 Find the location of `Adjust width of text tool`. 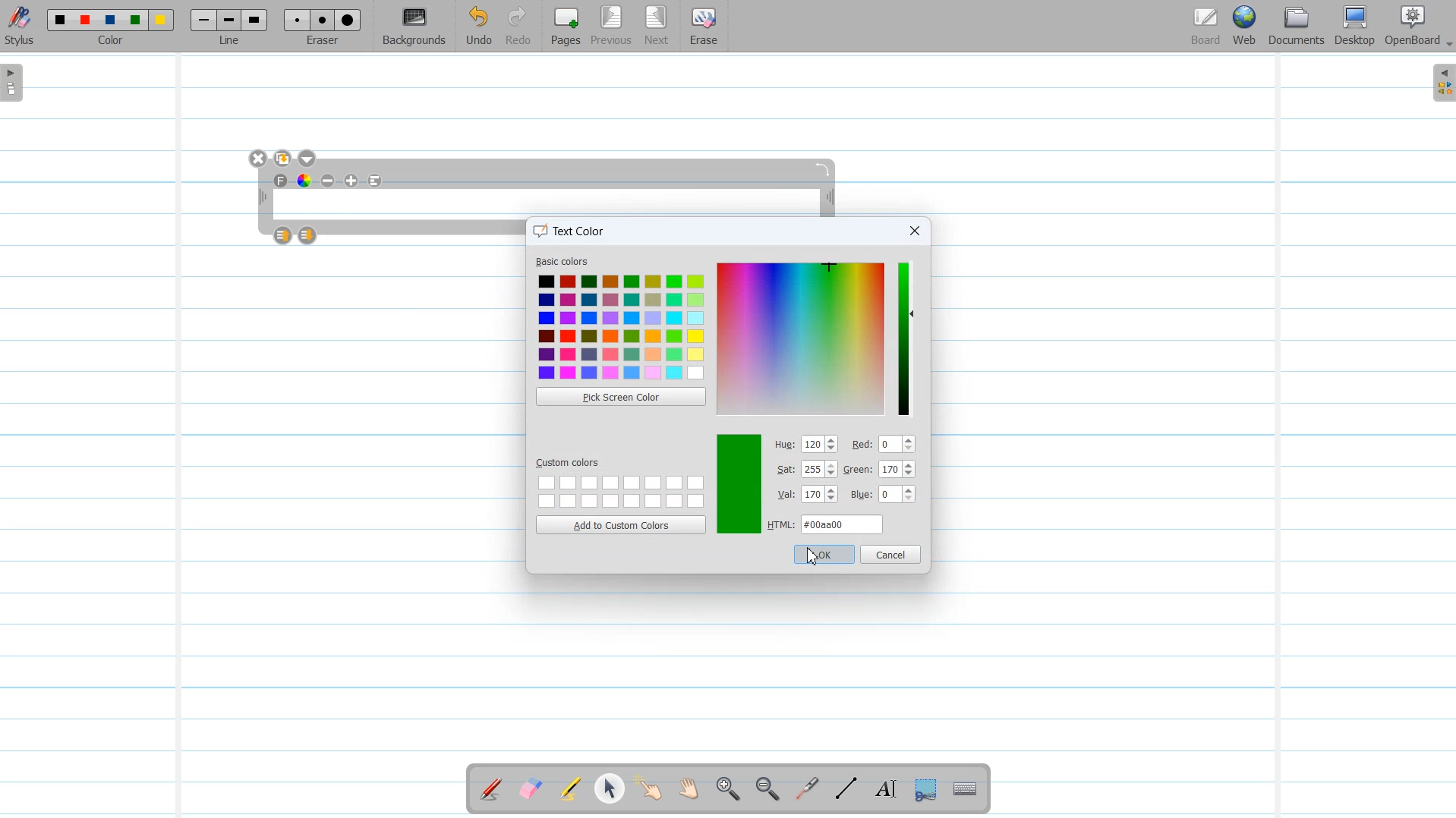

Adjust width of text tool is located at coordinates (830, 199).